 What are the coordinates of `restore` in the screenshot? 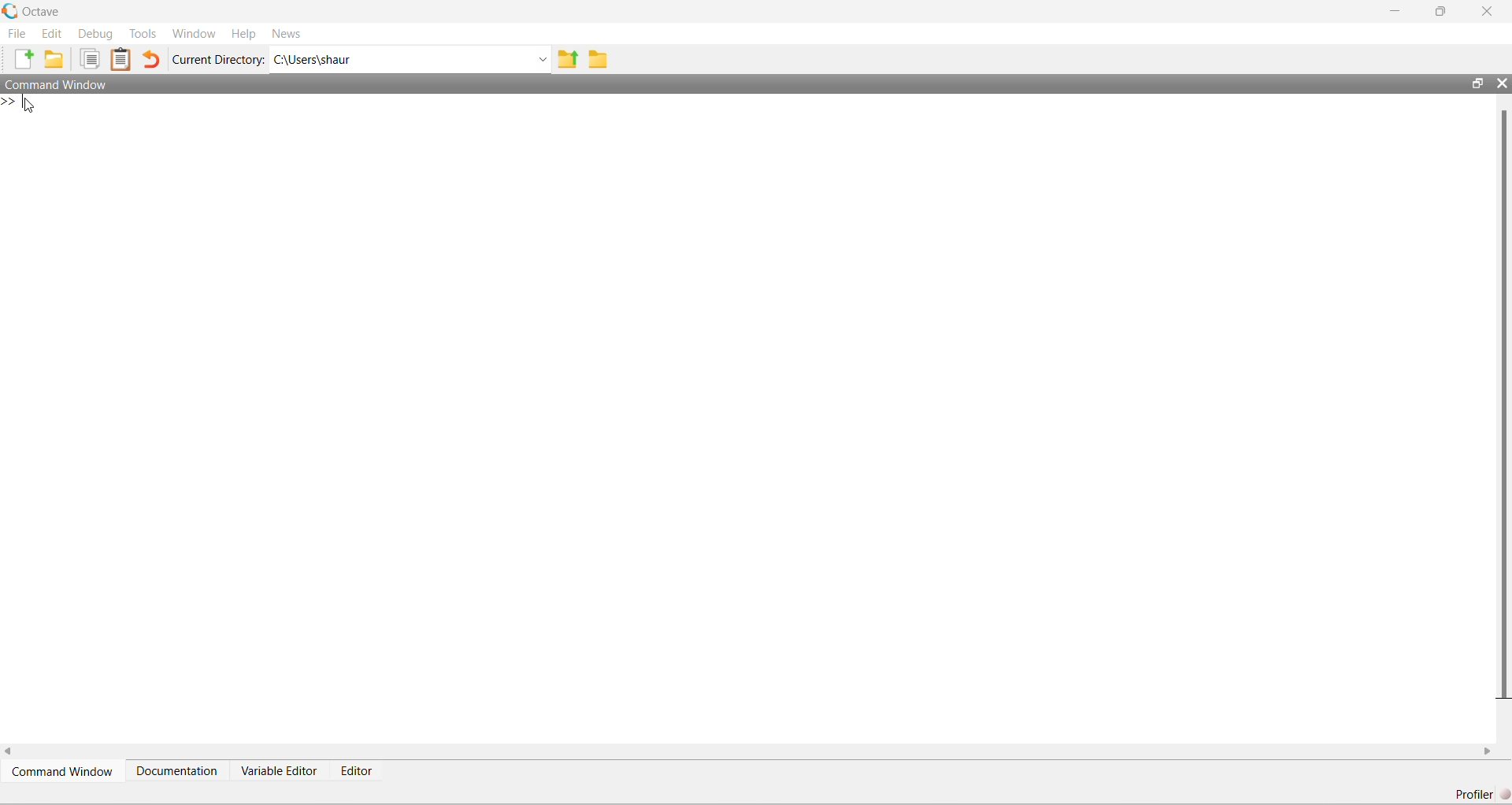 It's located at (1477, 83).